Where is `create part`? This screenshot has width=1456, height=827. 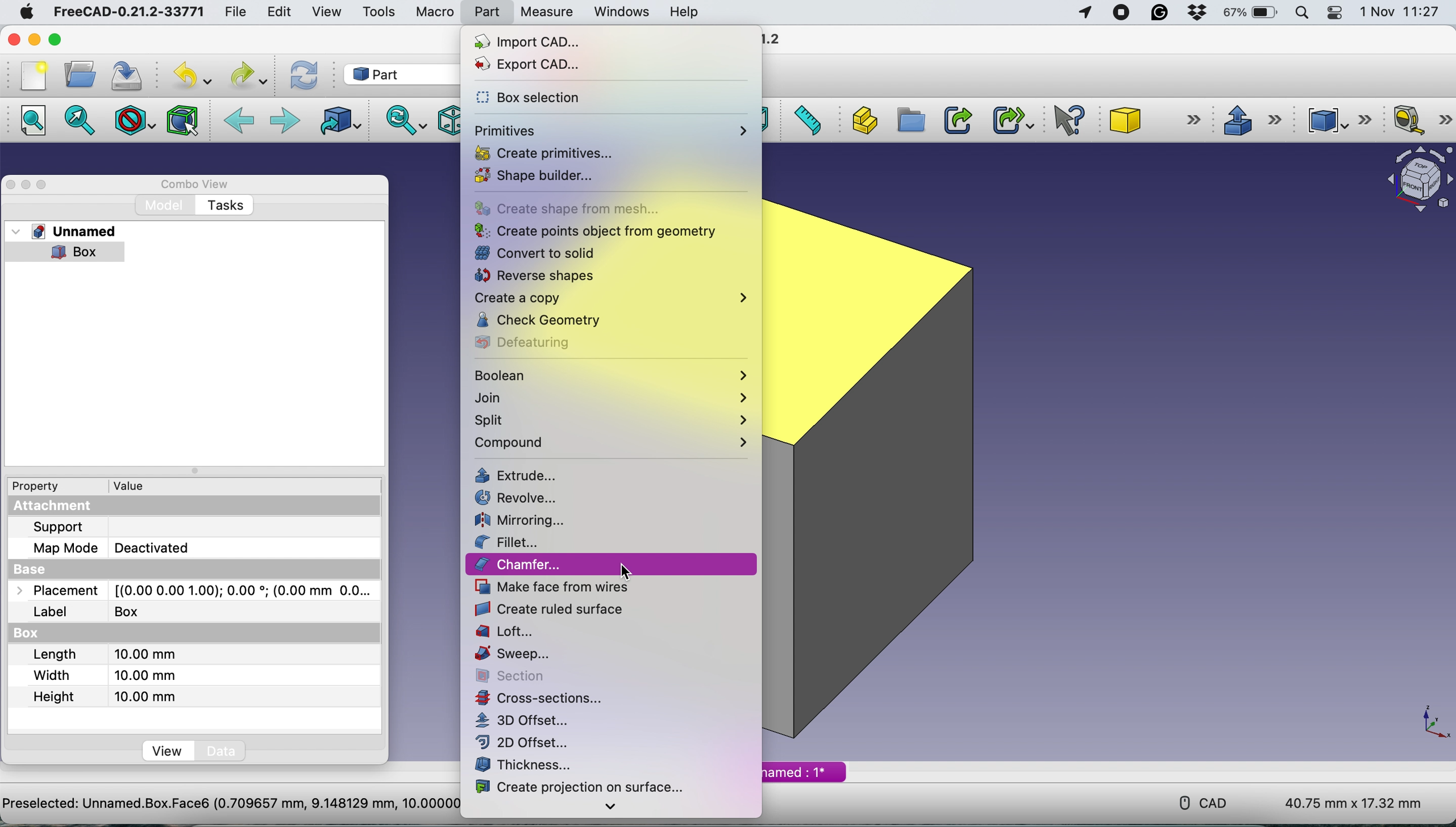 create part is located at coordinates (865, 120).